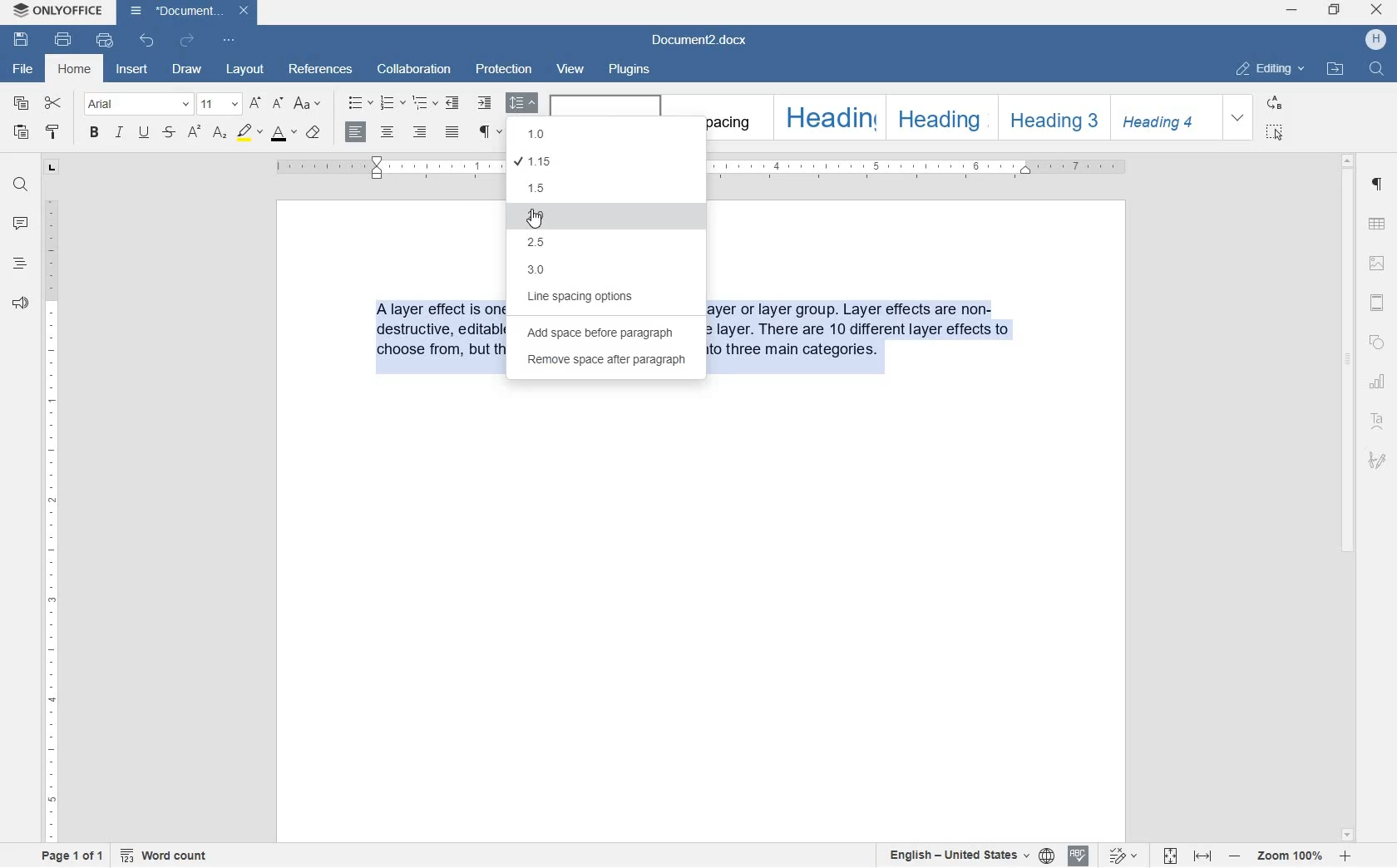 This screenshot has height=868, width=1397. I want to click on multilevel list, so click(423, 104).